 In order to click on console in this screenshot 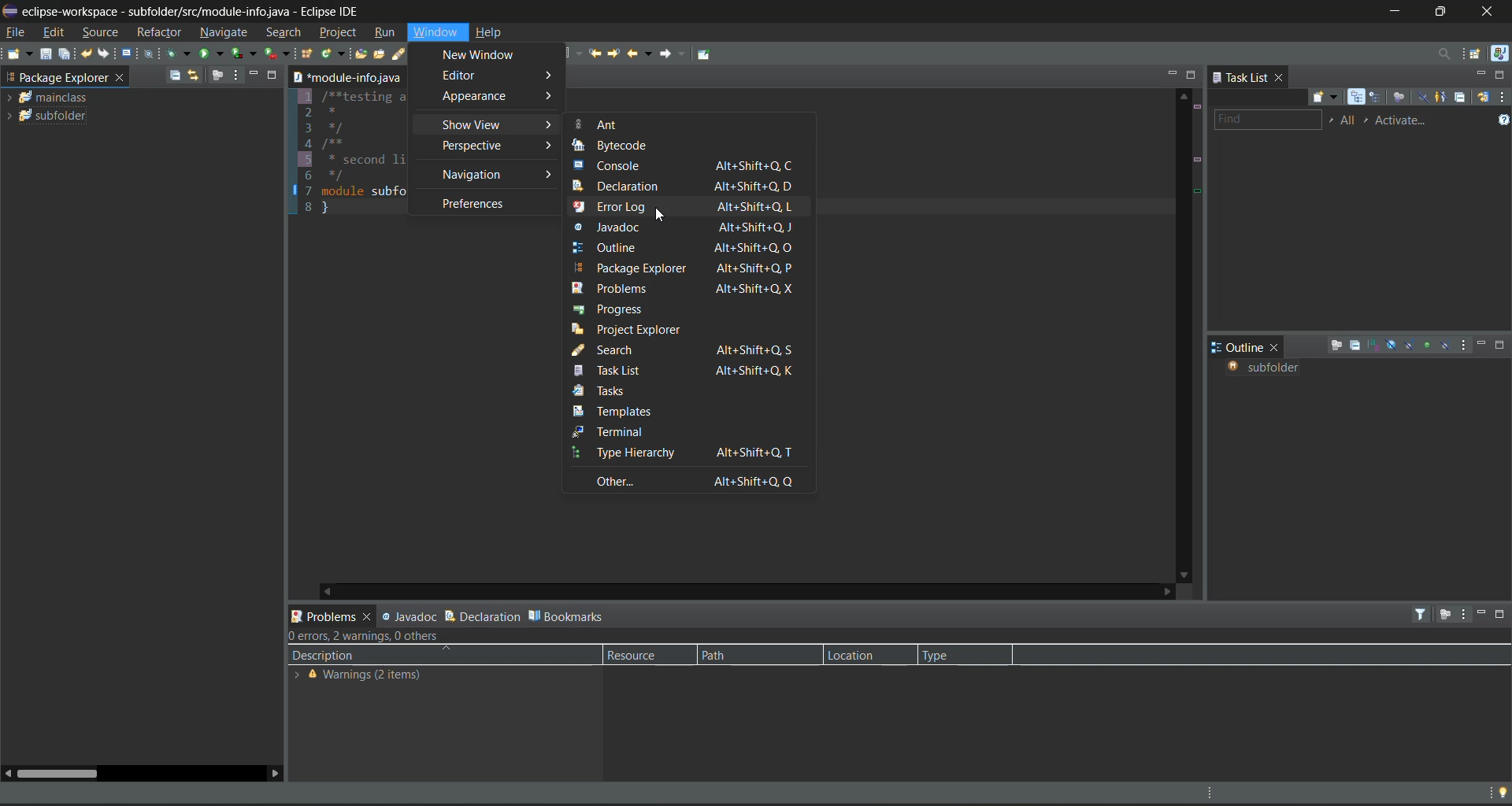, I will do `click(684, 166)`.